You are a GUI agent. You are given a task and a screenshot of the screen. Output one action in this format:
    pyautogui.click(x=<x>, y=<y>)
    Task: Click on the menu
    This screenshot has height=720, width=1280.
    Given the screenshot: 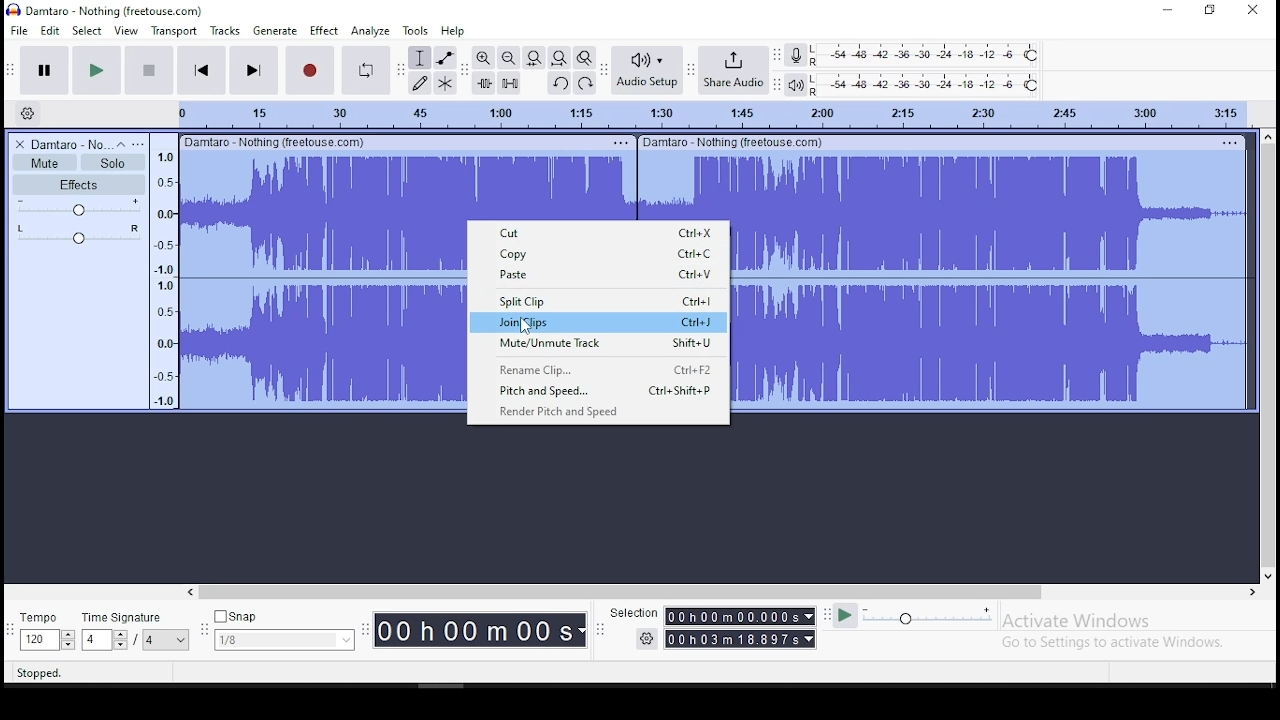 What is the action you would take?
    pyautogui.click(x=166, y=640)
    